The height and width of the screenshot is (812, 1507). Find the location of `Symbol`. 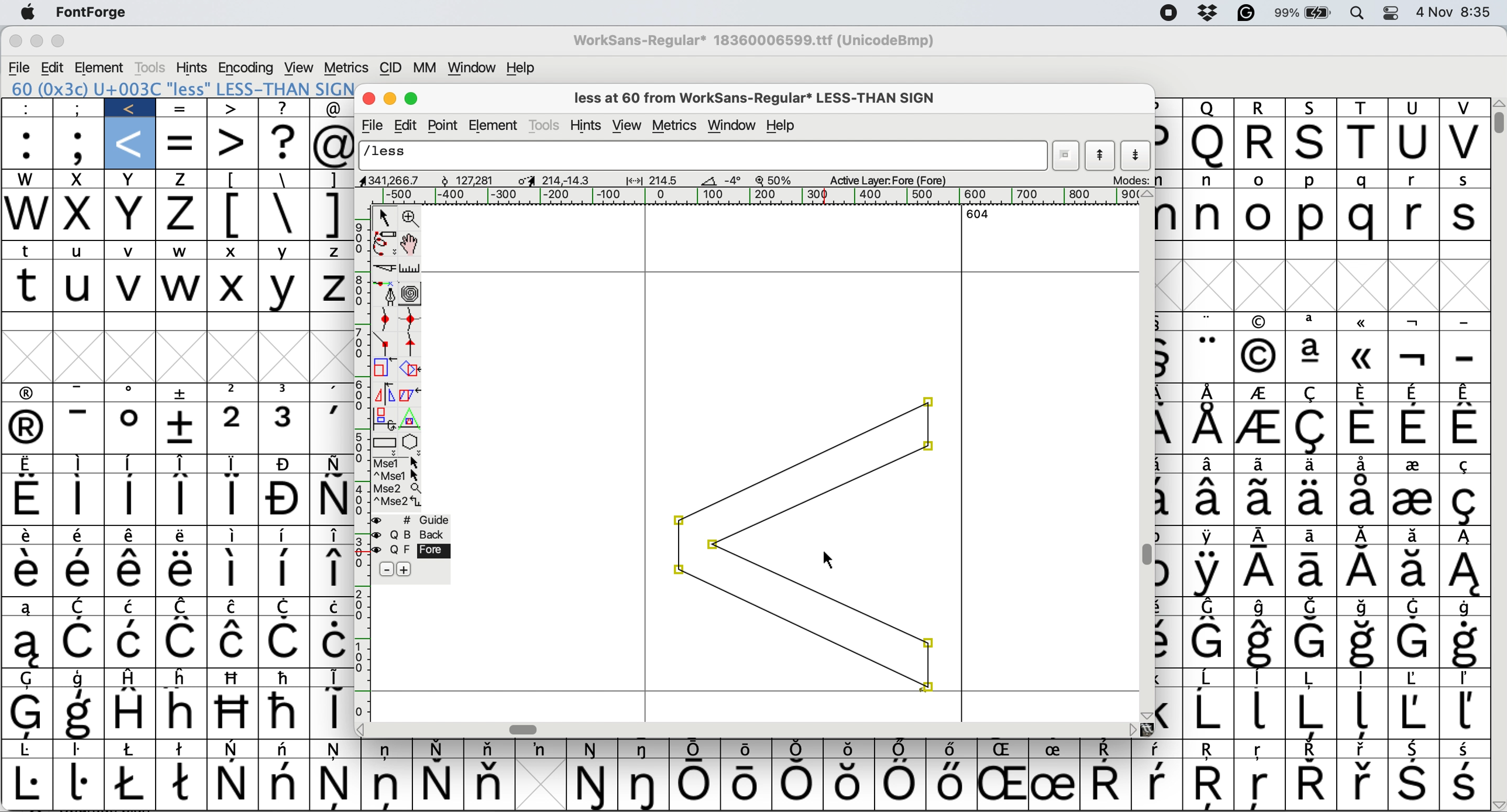

Symbol is located at coordinates (542, 749).